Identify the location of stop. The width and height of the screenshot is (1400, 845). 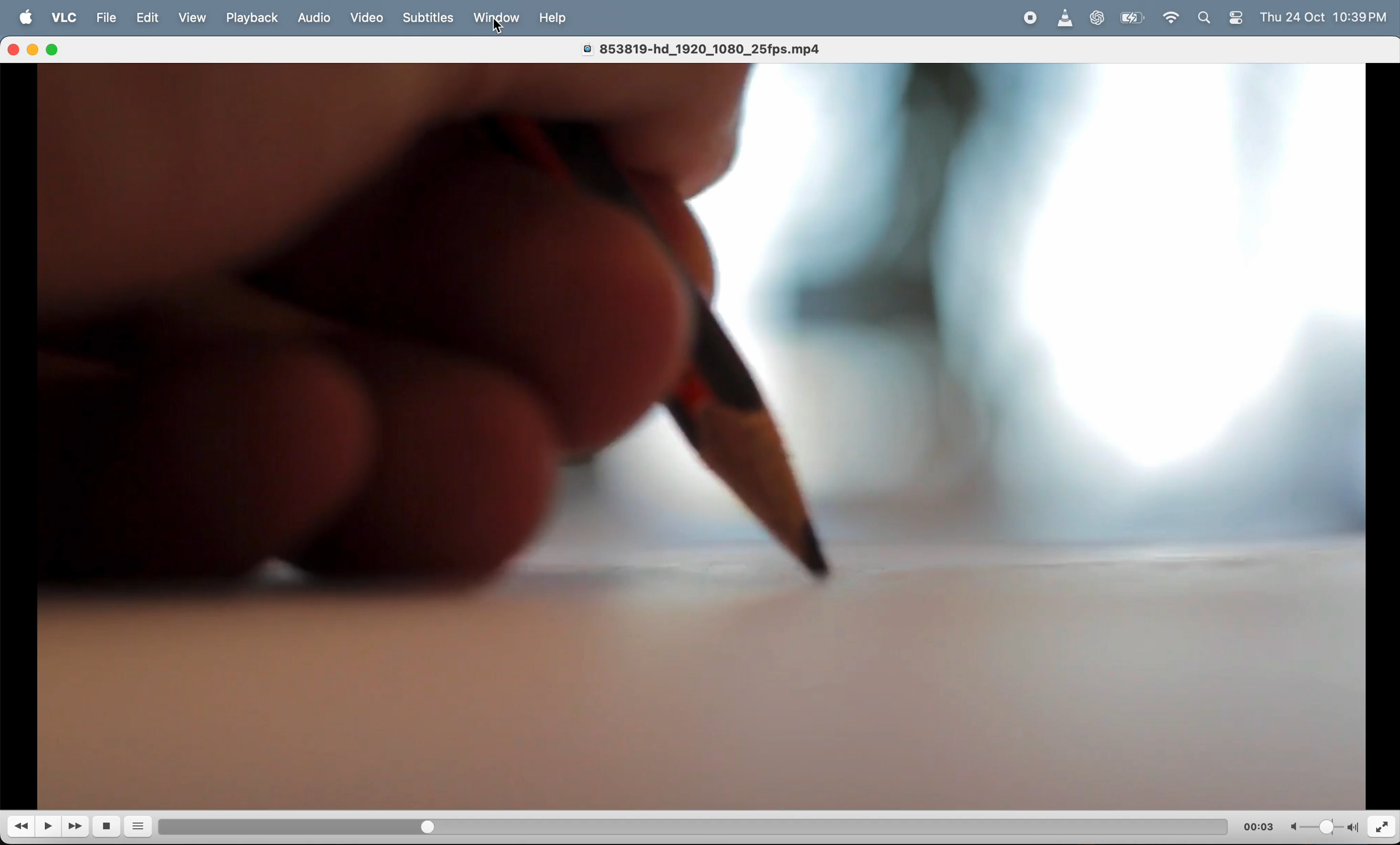
(110, 827).